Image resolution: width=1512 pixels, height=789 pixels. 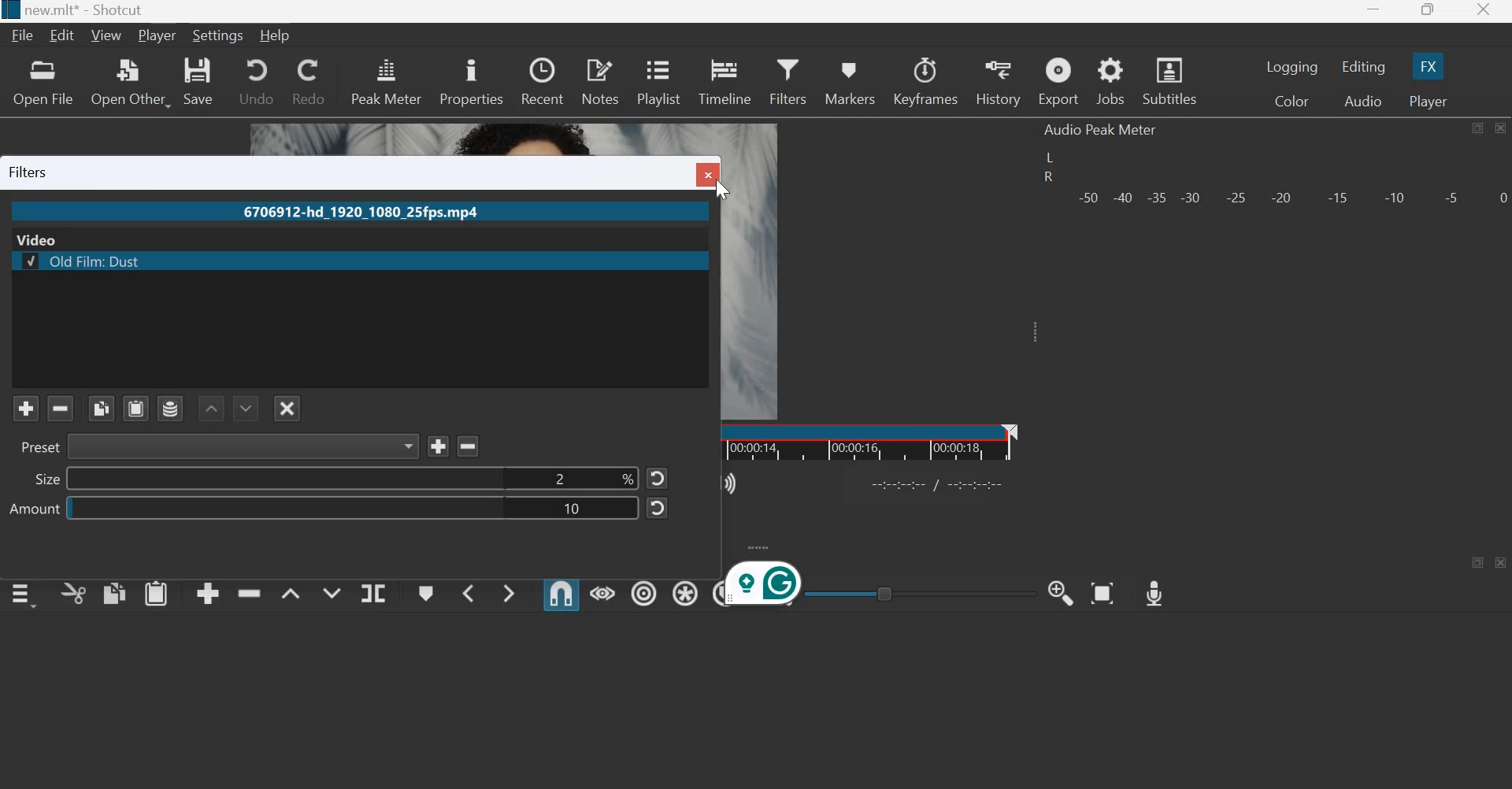 What do you see at coordinates (722, 190) in the screenshot?
I see `cursor` at bounding box center [722, 190].